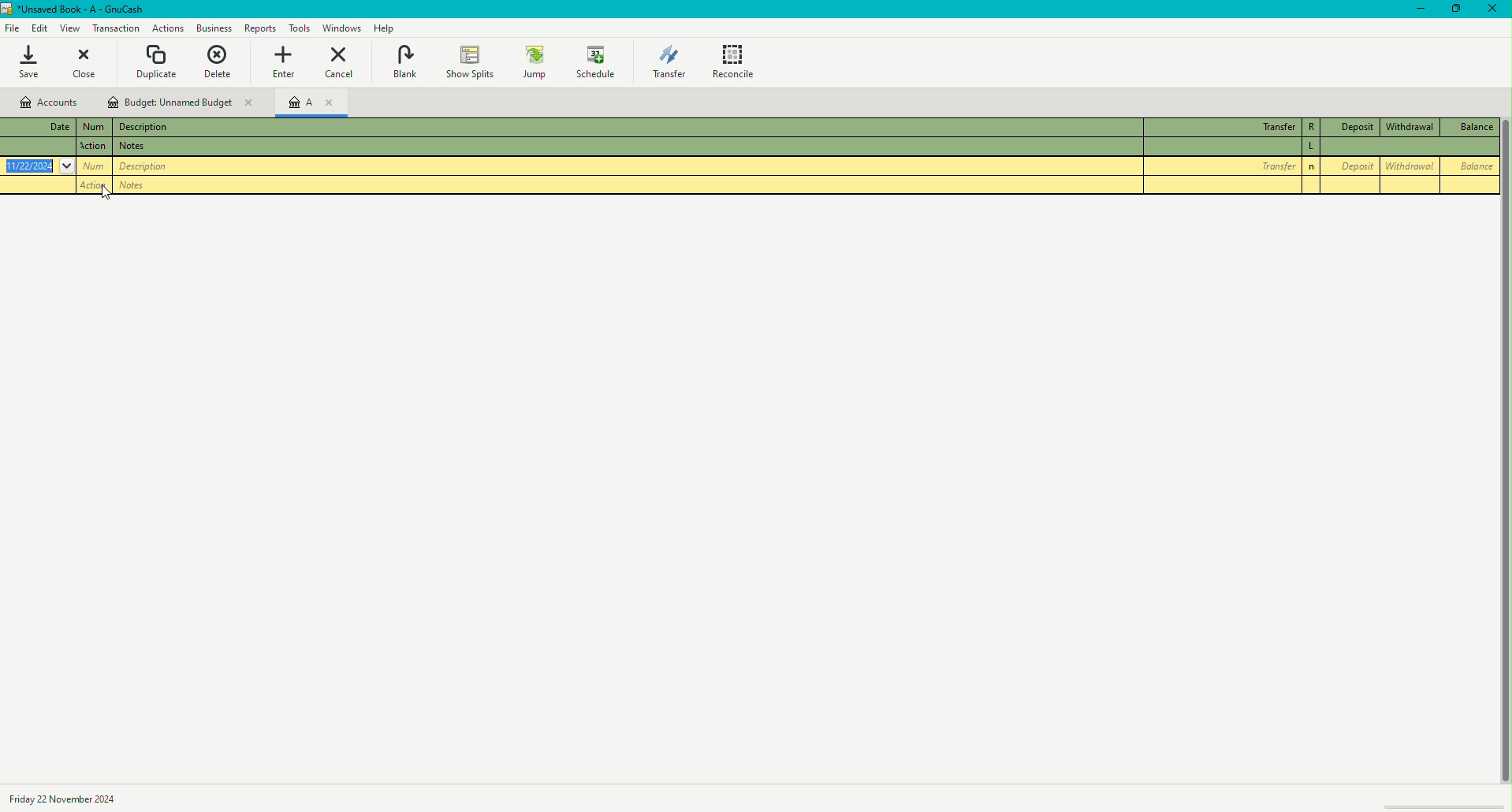 The image size is (1512, 812). What do you see at coordinates (668, 60) in the screenshot?
I see `Transfer` at bounding box center [668, 60].